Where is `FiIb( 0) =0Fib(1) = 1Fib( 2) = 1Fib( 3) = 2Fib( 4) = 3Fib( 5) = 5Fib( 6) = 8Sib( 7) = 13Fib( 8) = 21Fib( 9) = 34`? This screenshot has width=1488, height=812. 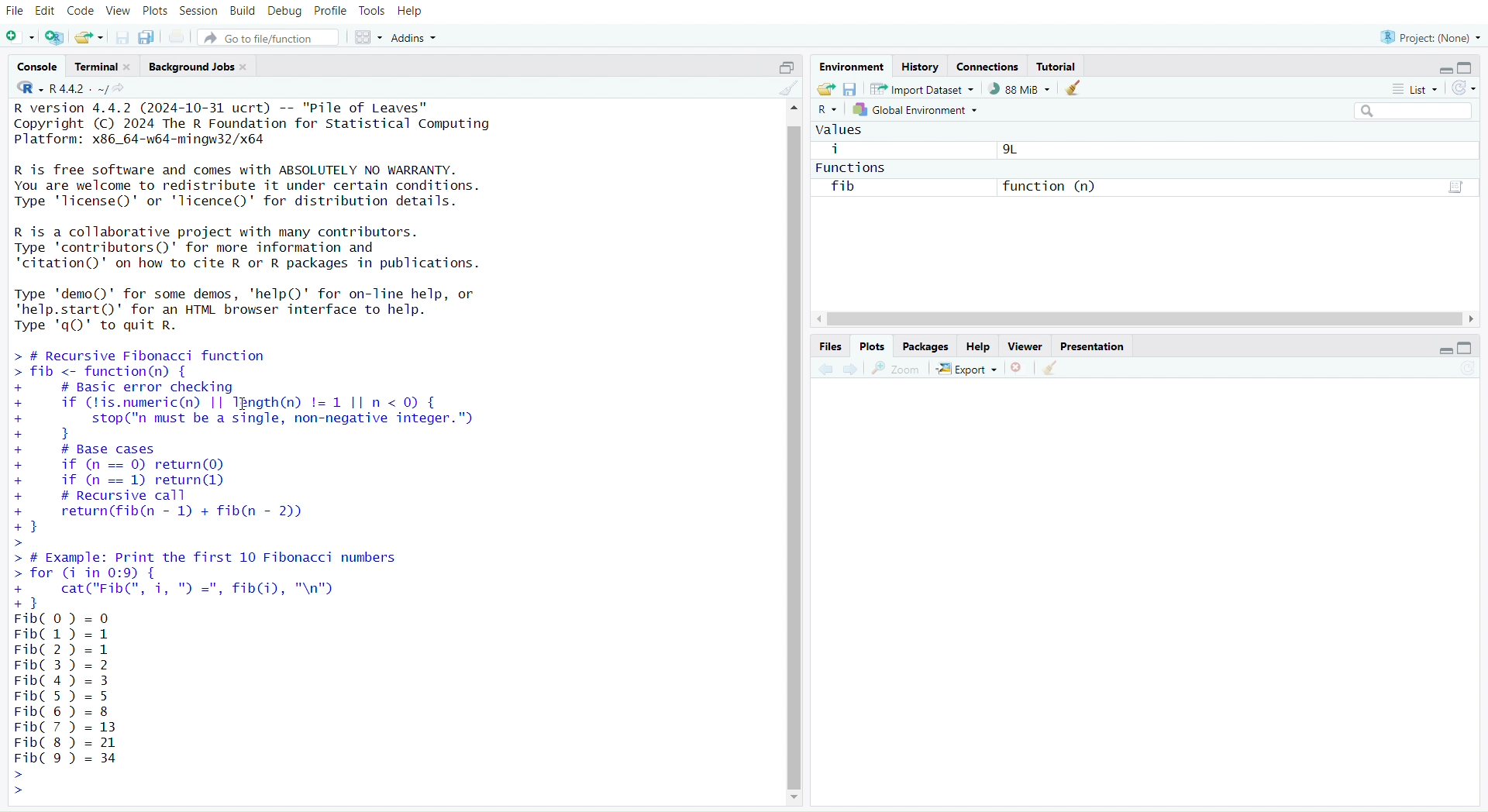
FiIb( 0) =0Fib(1) = 1Fib( 2) = 1Fib( 3) = 2Fib( 4) = 3Fib( 5) = 5Fib( 6) = 8Sib( 7) = 13Fib( 8) = 21Fib( 9) = 34 is located at coordinates (75, 704).